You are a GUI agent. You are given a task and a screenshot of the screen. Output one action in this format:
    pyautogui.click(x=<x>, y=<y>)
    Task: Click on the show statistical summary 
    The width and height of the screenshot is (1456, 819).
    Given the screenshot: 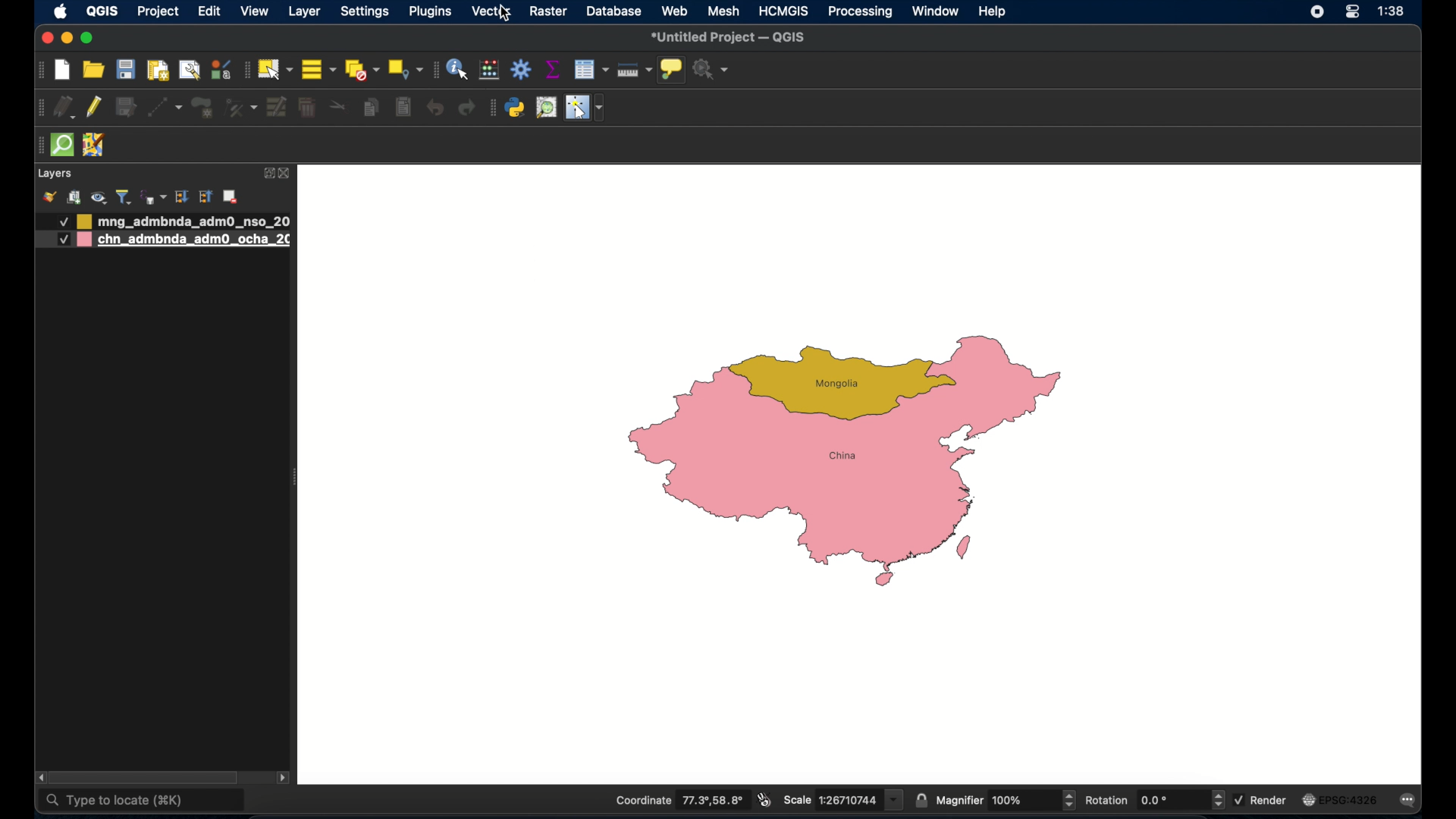 What is the action you would take?
    pyautogui.click(x=554, y=69)
    